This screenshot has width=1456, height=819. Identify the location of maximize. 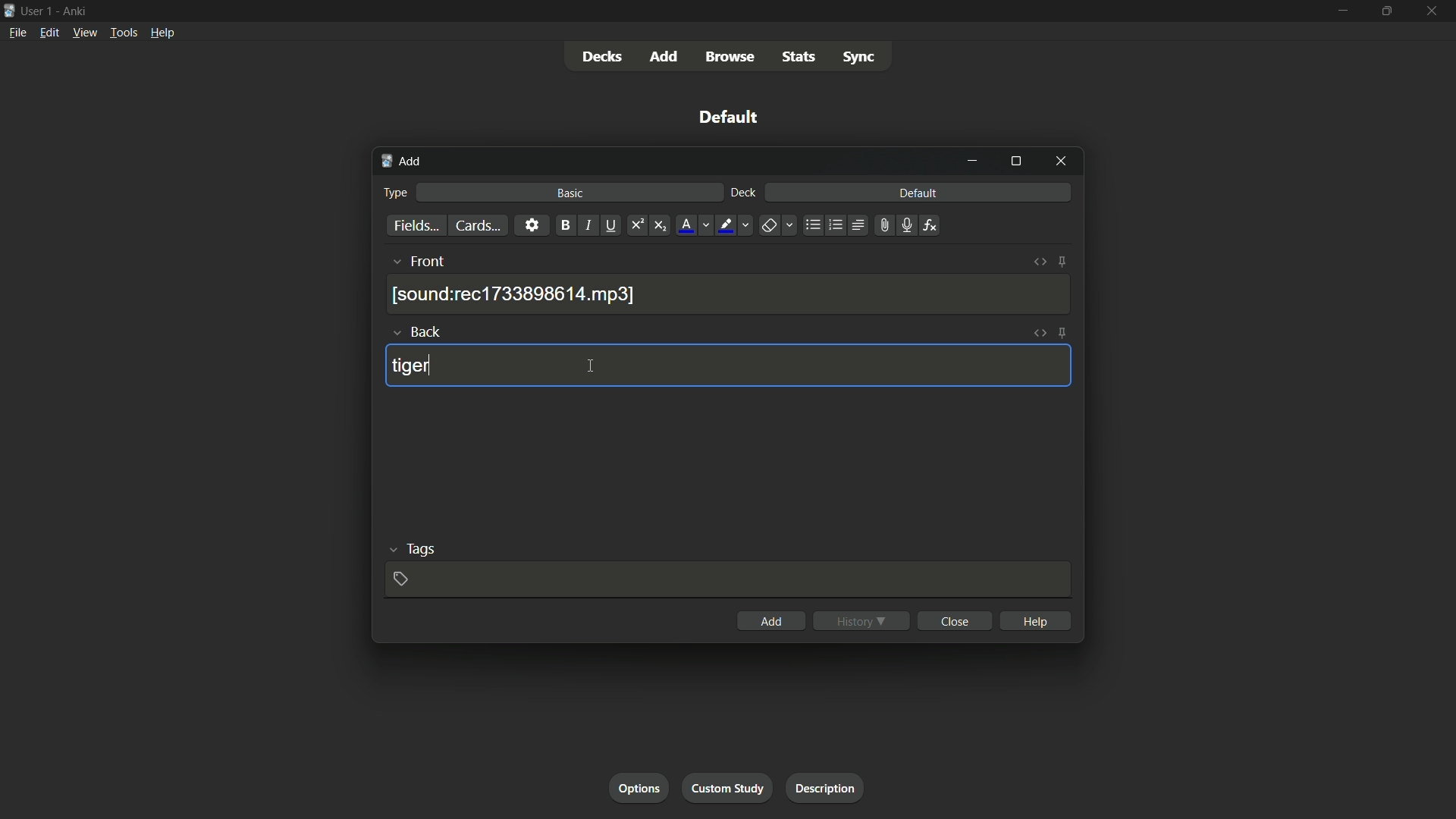
(1387, 11).